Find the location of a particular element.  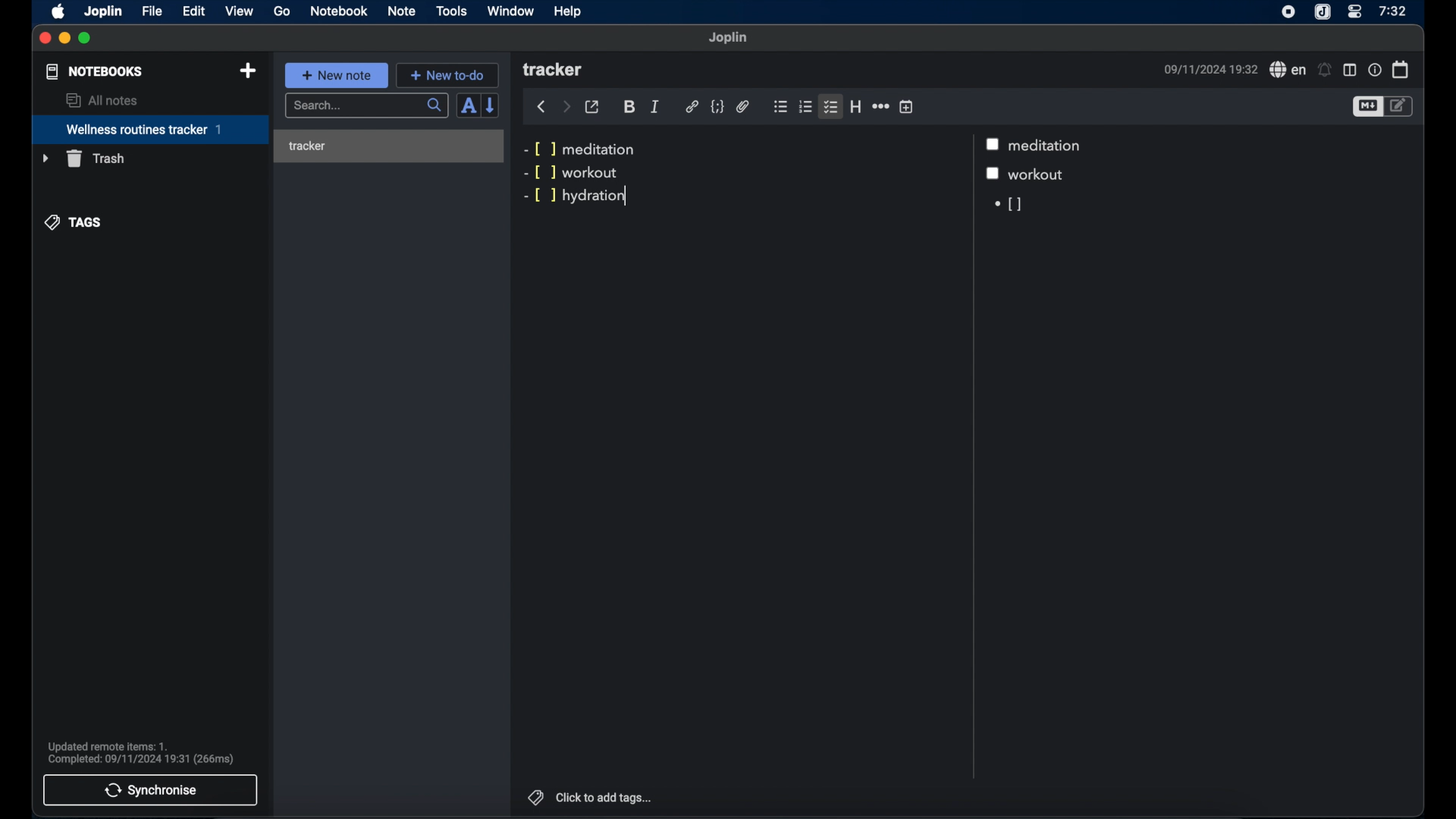

all notes is located at coordinates (101, 100).